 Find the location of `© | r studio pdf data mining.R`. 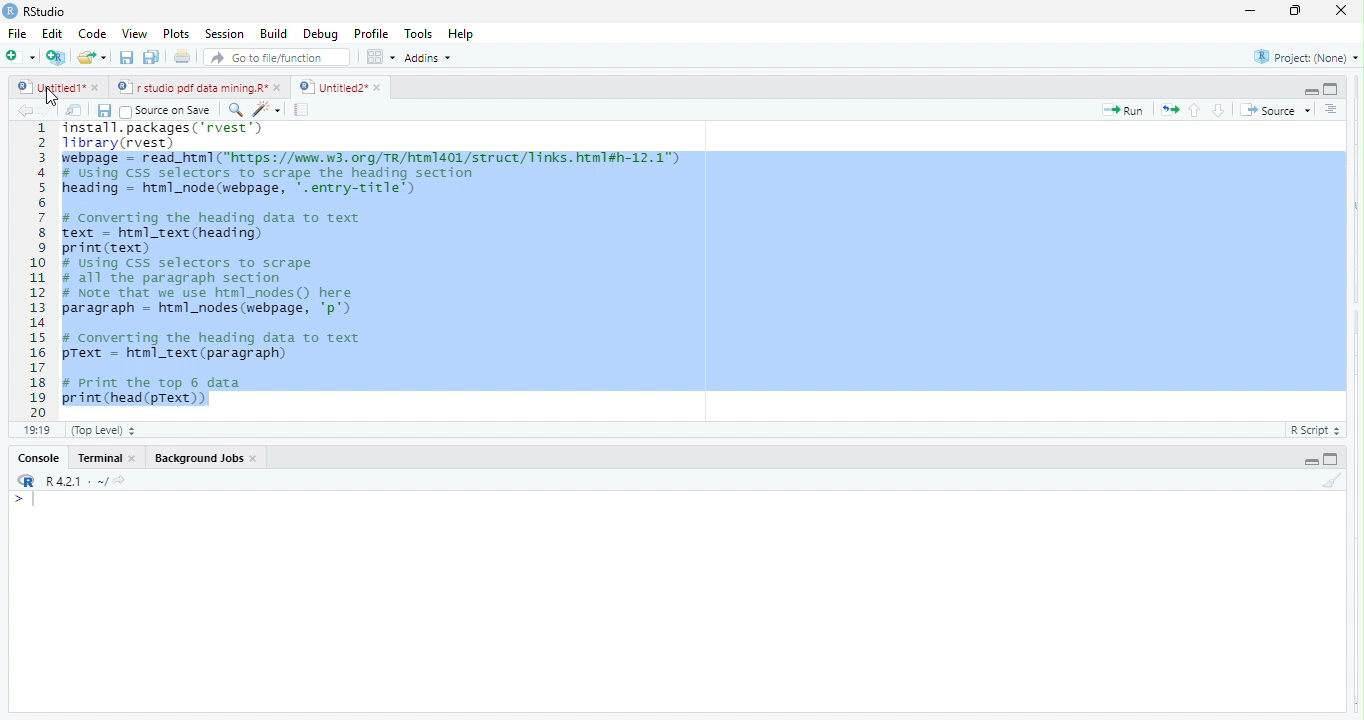

© | r studio pdf data mining.R is located at coordinates (194, 88).